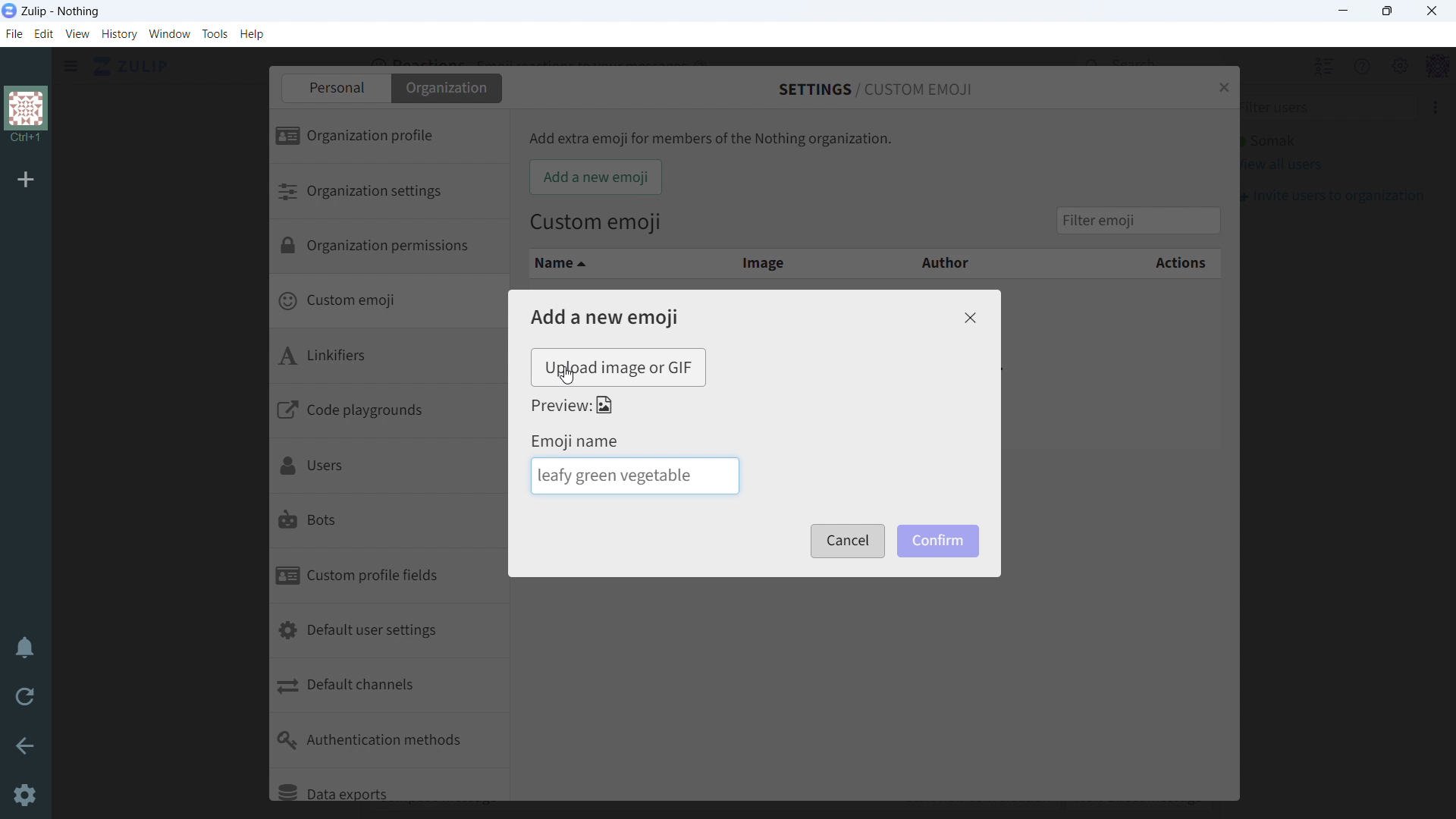 Image resolution: width=1456 pixels, height=819 pixels. Describe the element at coordinates (24, 795) in the screenshot. I see `settings` at that location.